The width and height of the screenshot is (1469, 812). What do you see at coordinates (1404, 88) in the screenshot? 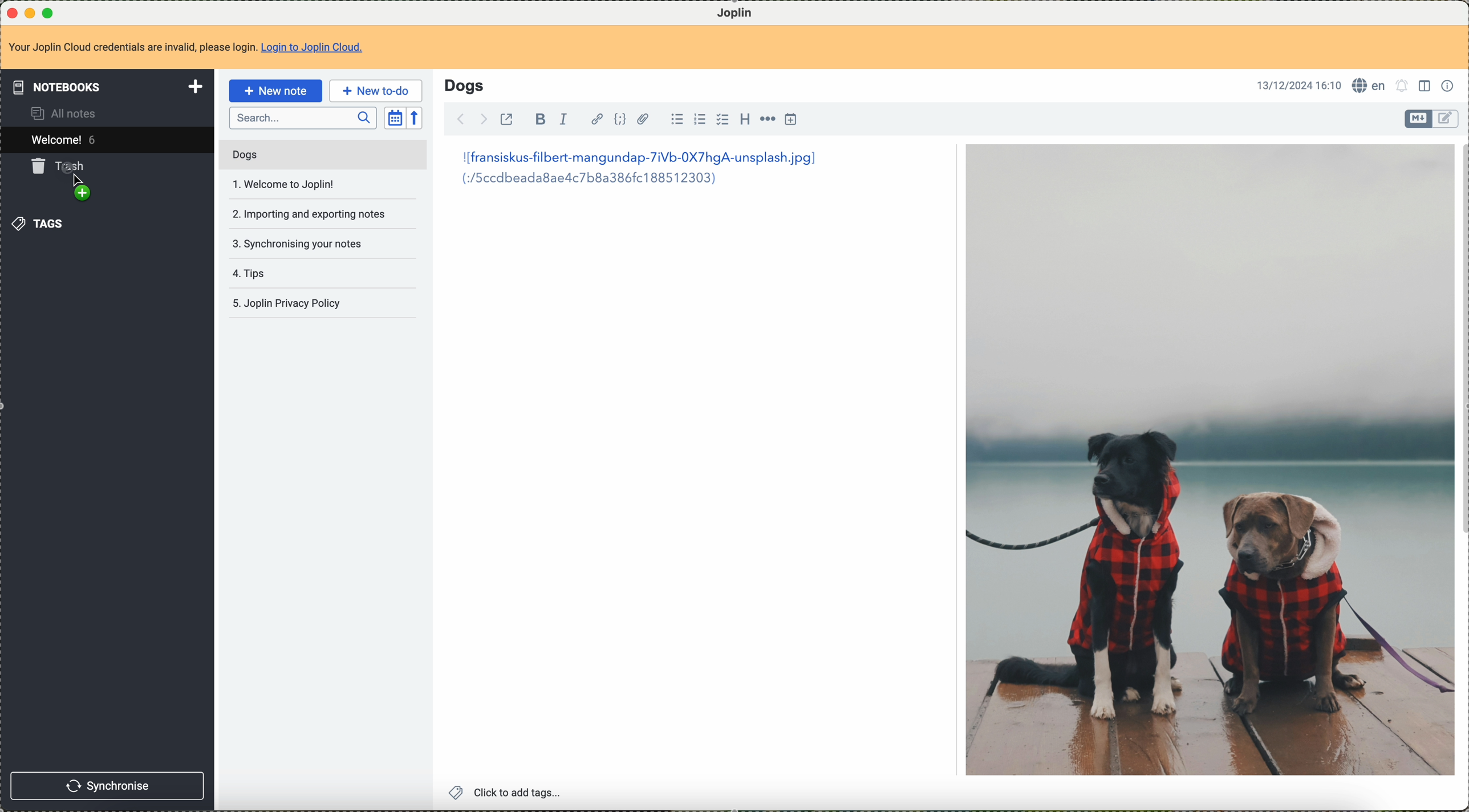
I see `set alarm` at bounding box center [1404, 88].